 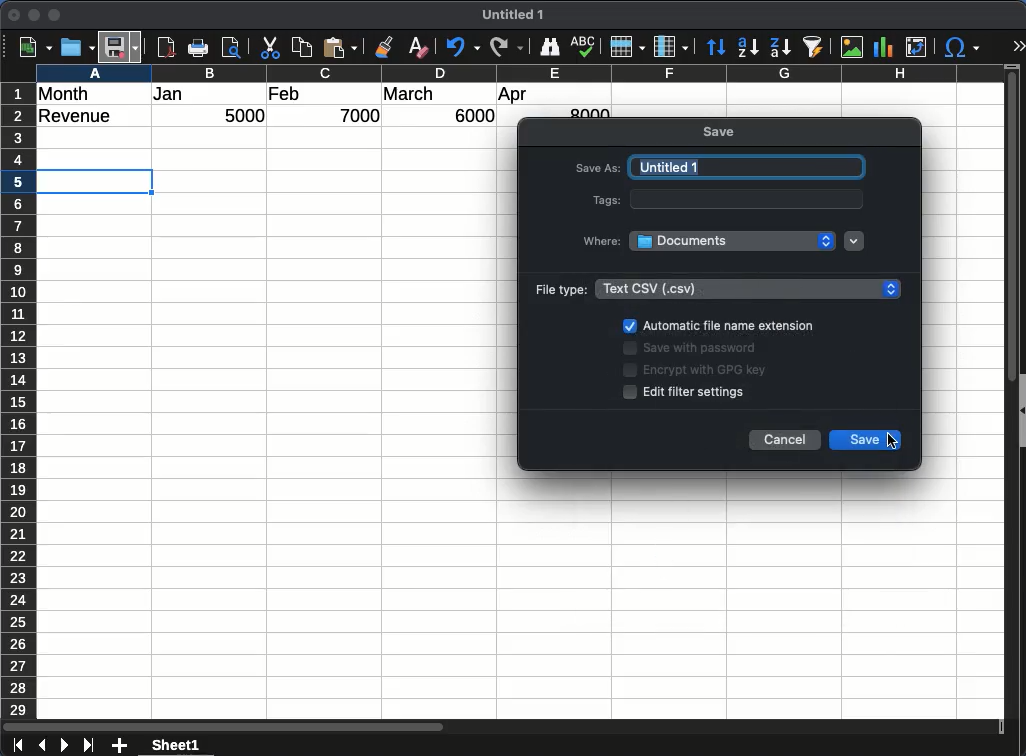 I want to click on where, so click(x=603, y=239).